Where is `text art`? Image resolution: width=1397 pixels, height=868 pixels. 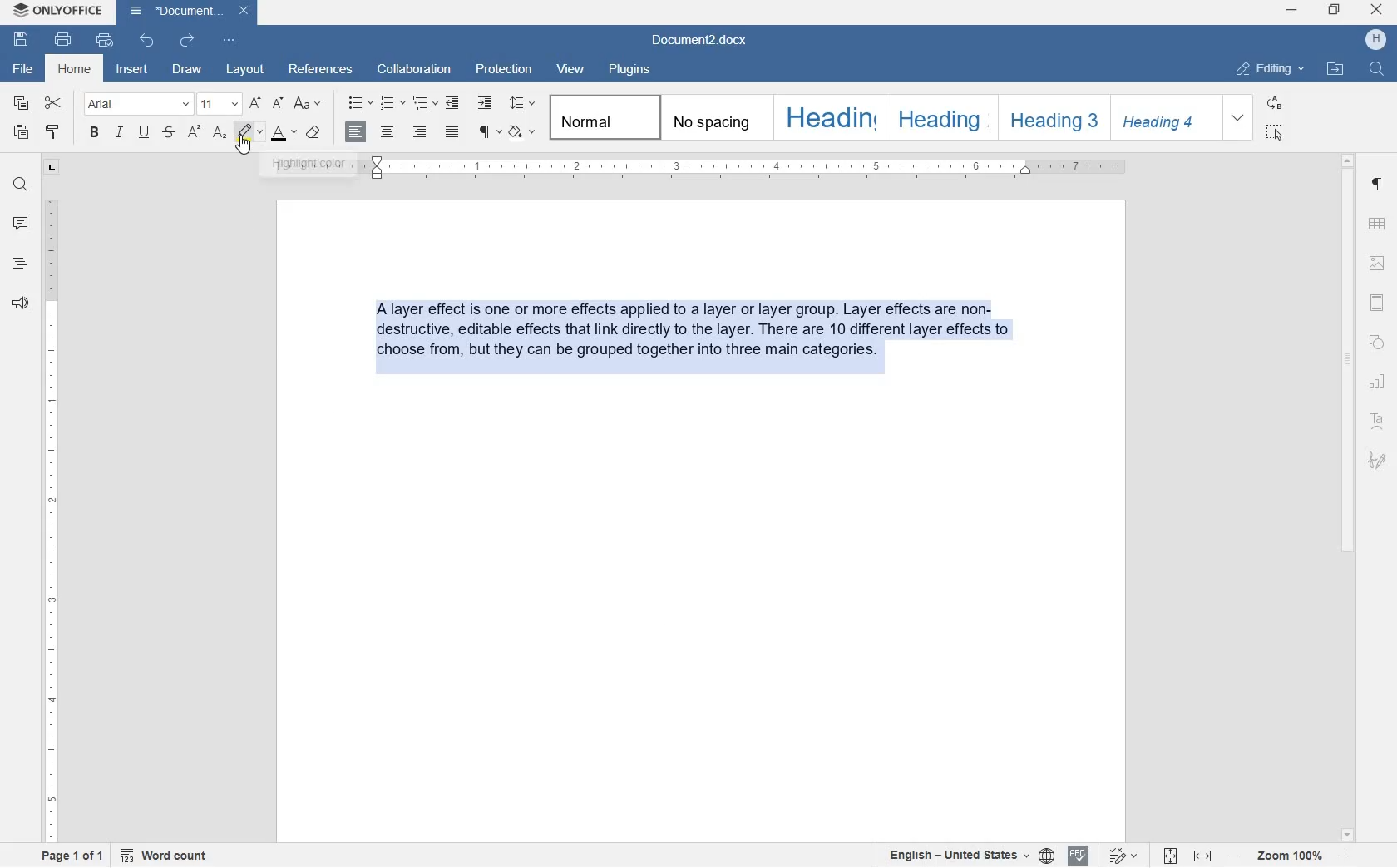 text art is located at coordinates (1377, 422).